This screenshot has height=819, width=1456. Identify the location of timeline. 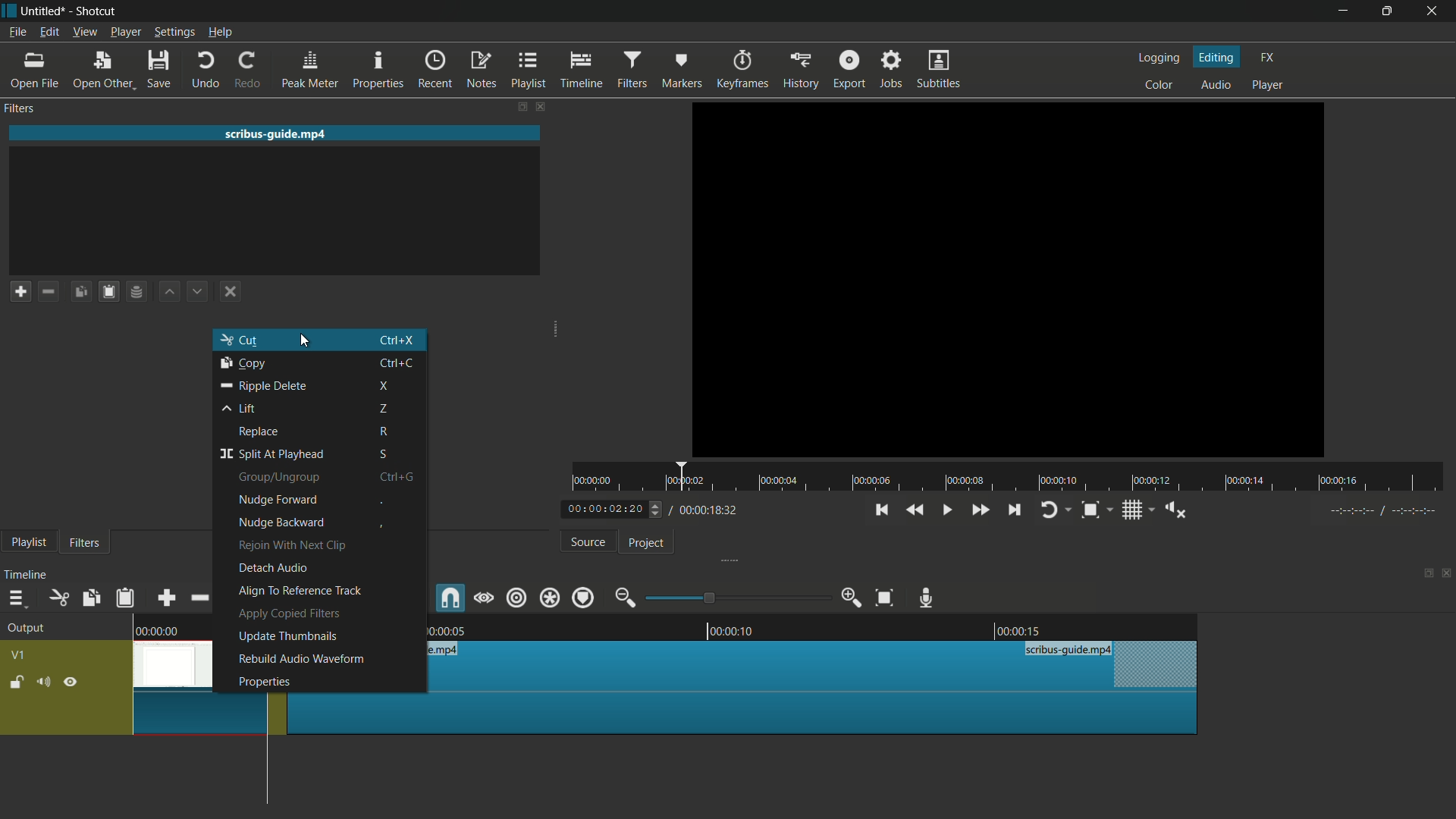
(26, 575).